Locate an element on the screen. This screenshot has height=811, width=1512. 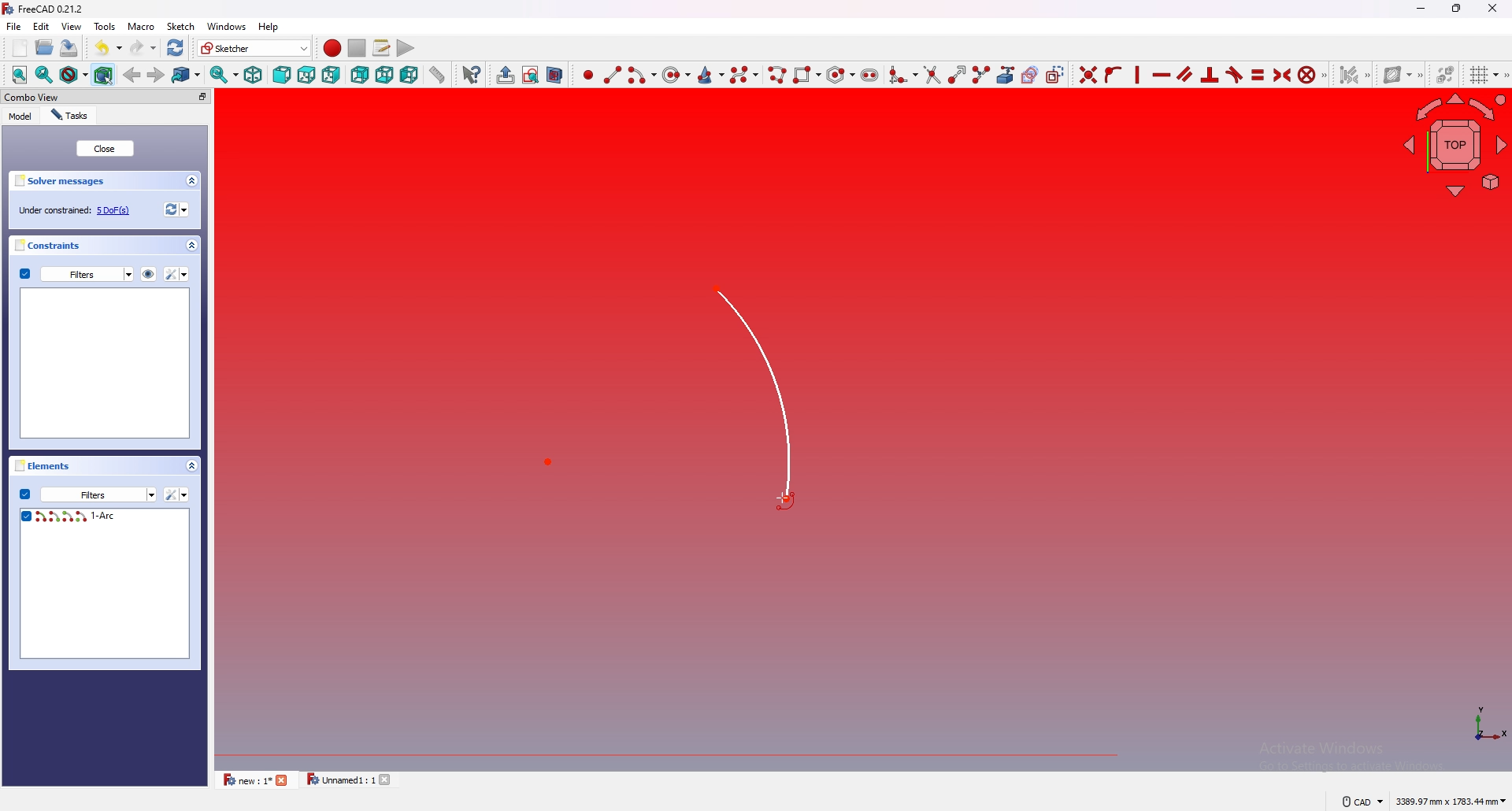
draw style is located at coordinates (73, 74).